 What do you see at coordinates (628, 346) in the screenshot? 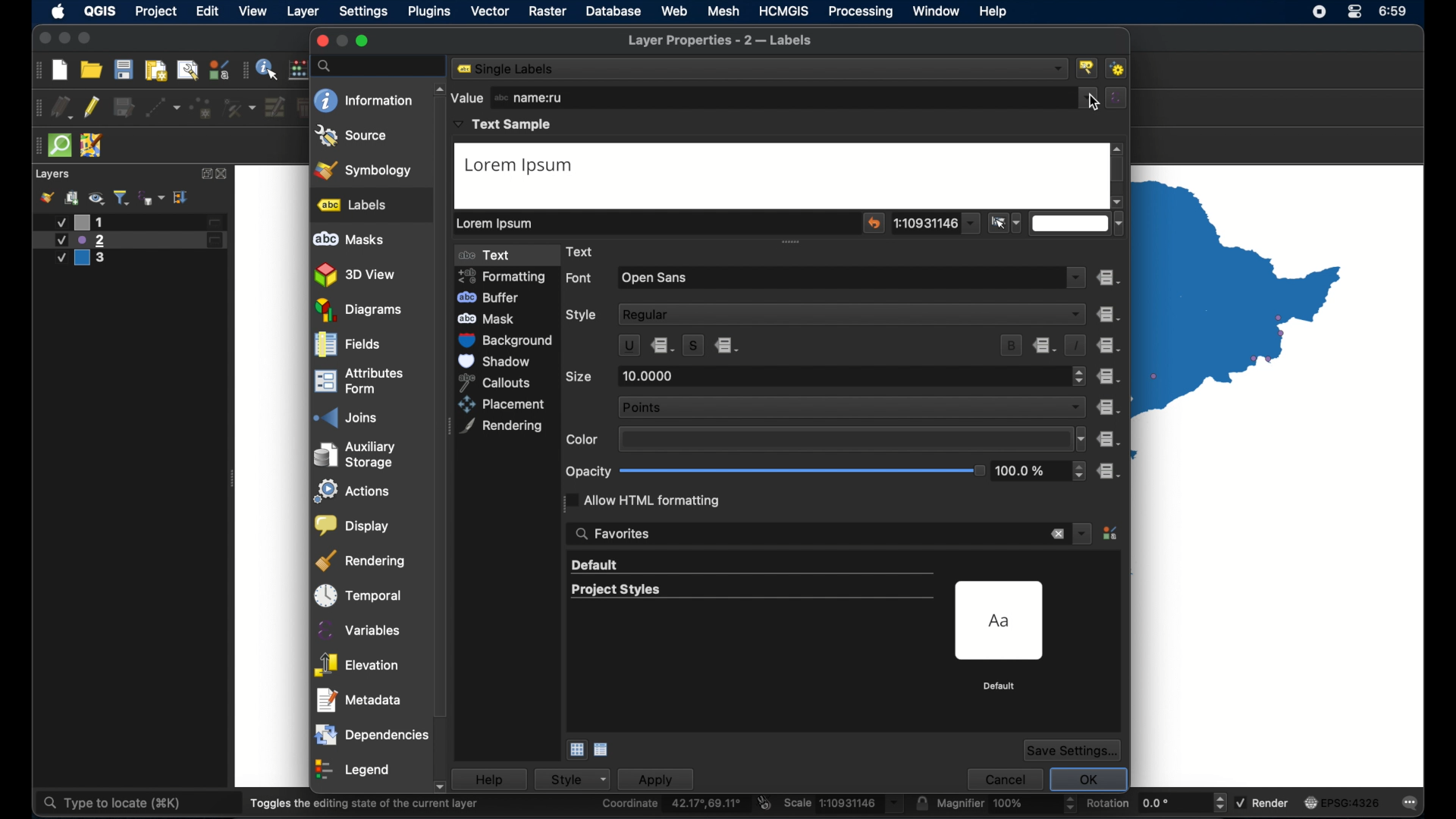
I see `u` at bounding box center [628, 346].